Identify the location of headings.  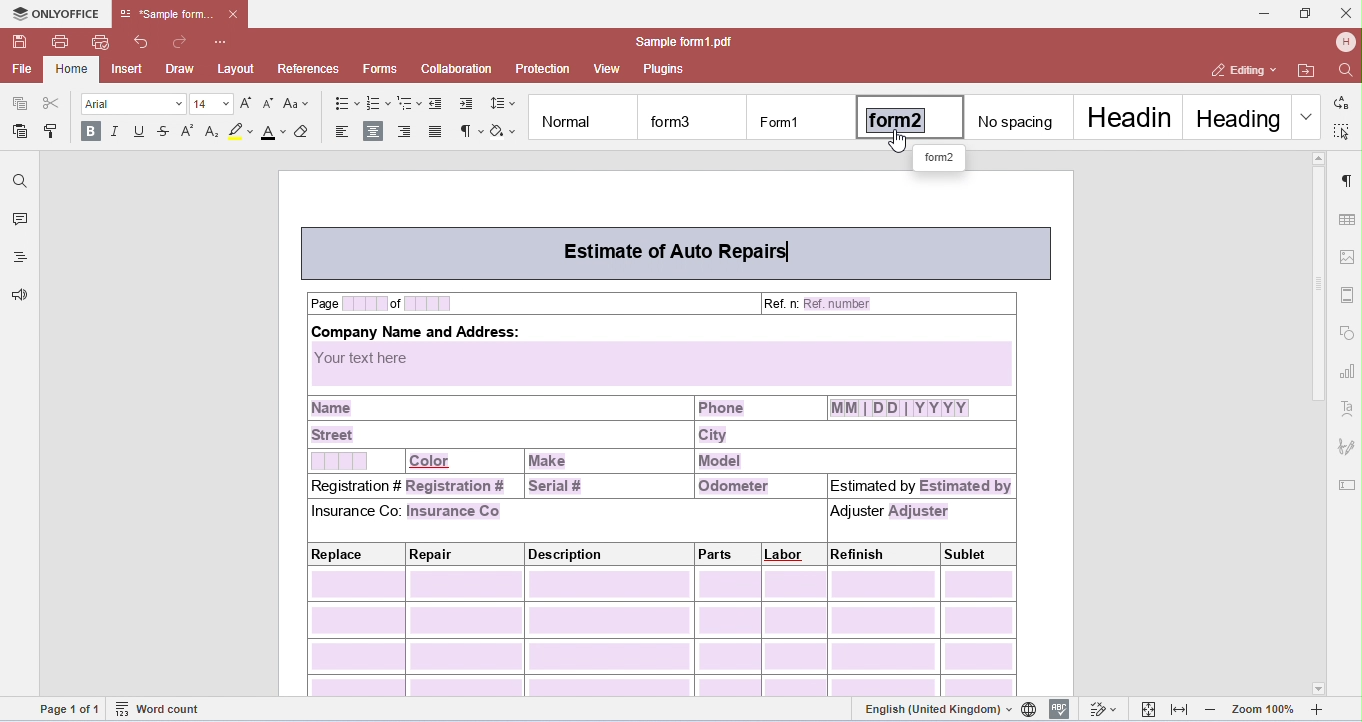
(20, 259).